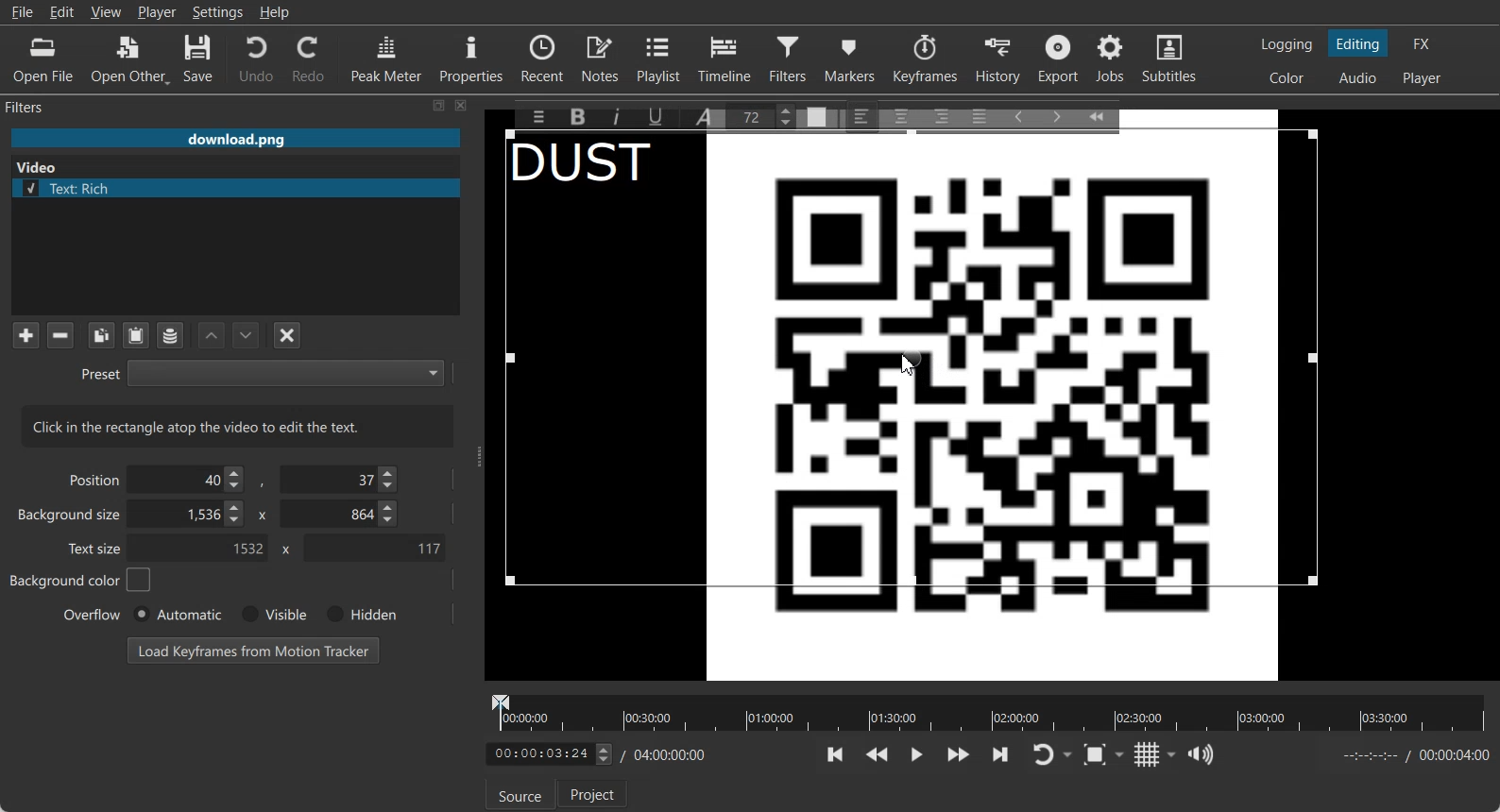 The image size is (1500, 812). I want to click on Insert Indent, so click(1057, 117).